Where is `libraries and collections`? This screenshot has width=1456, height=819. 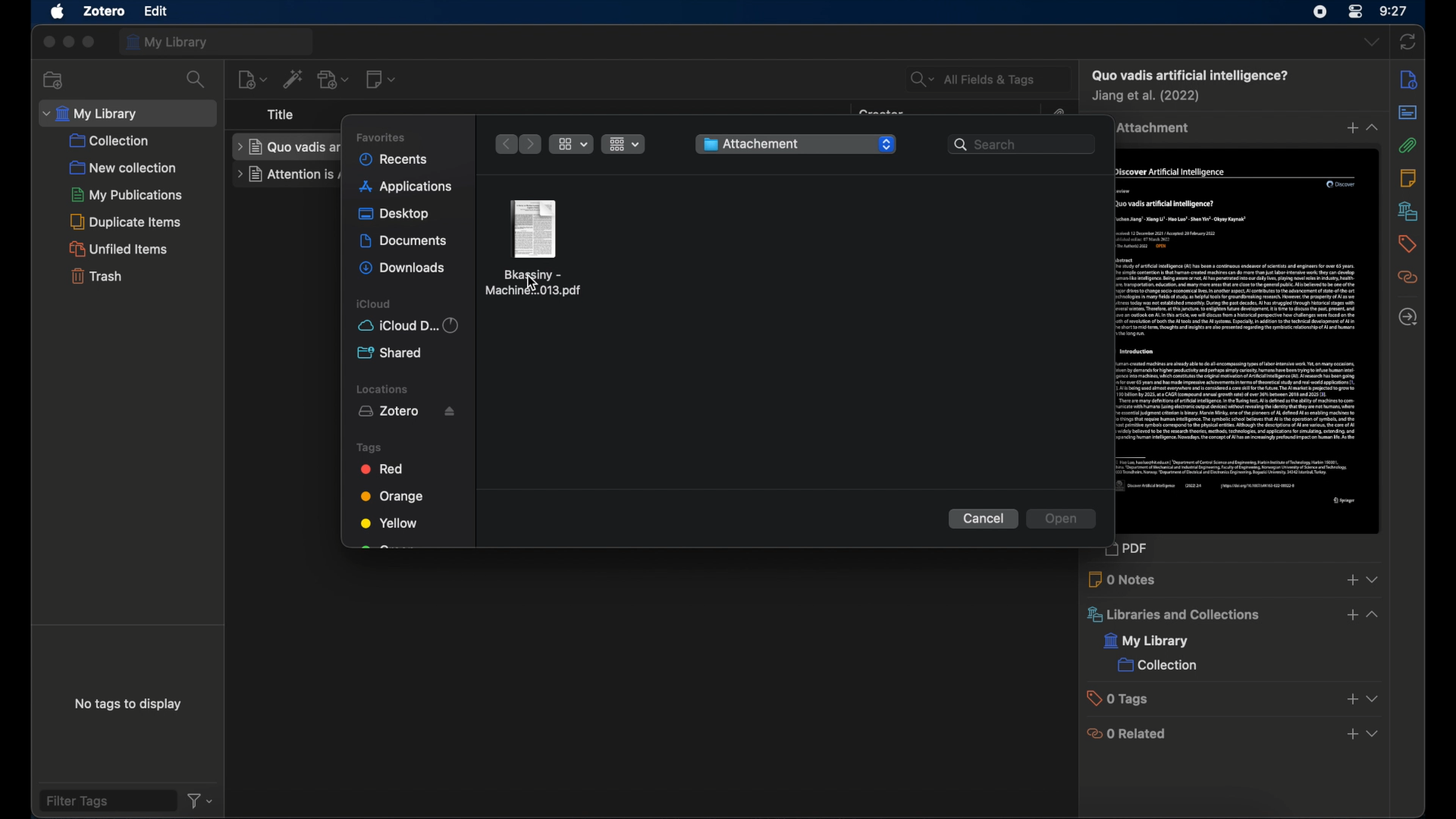
libraries and collections is located at coordinates (1172, 615).